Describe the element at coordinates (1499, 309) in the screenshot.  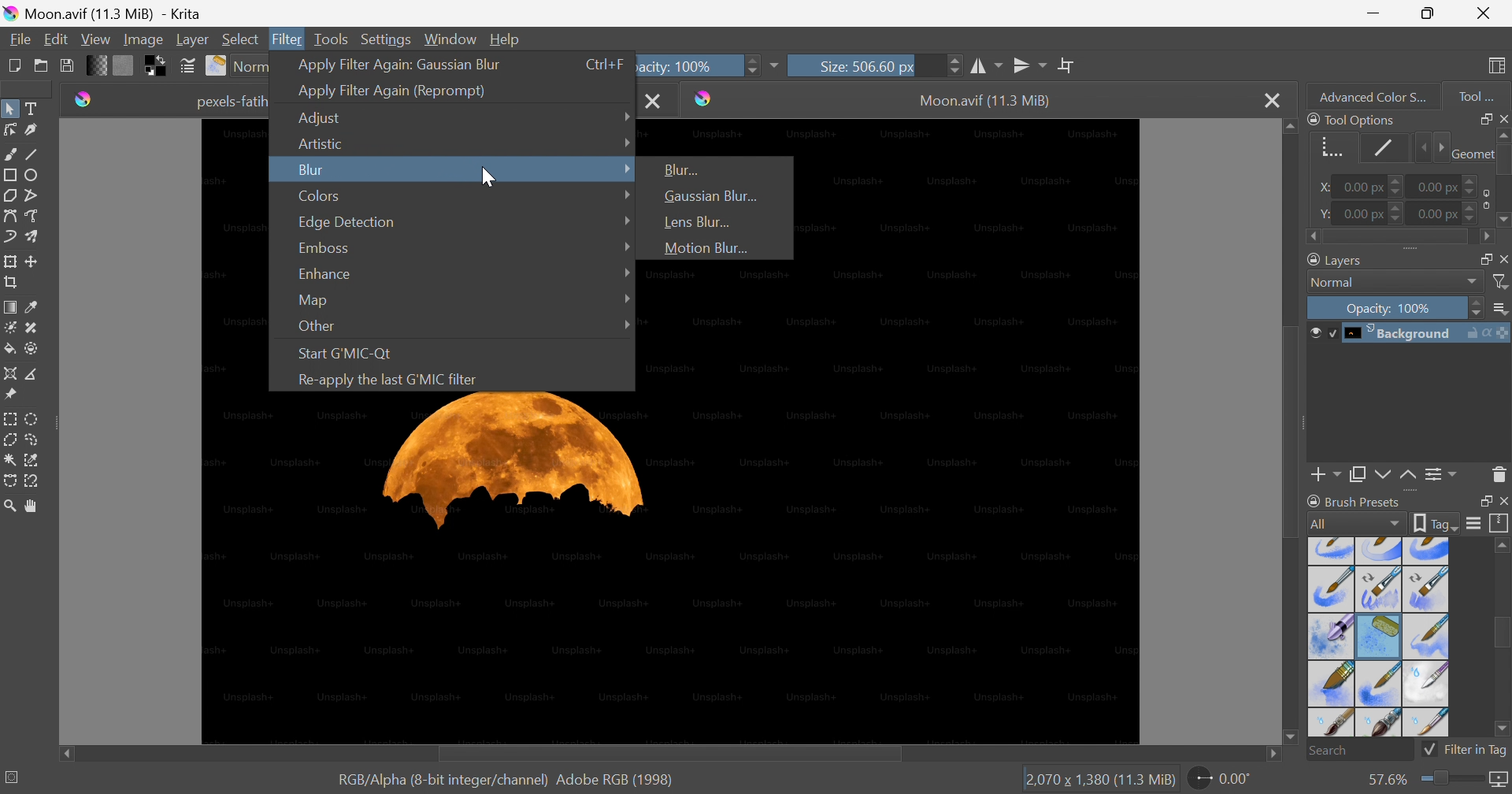
I see `Thumbnail size` at that location.